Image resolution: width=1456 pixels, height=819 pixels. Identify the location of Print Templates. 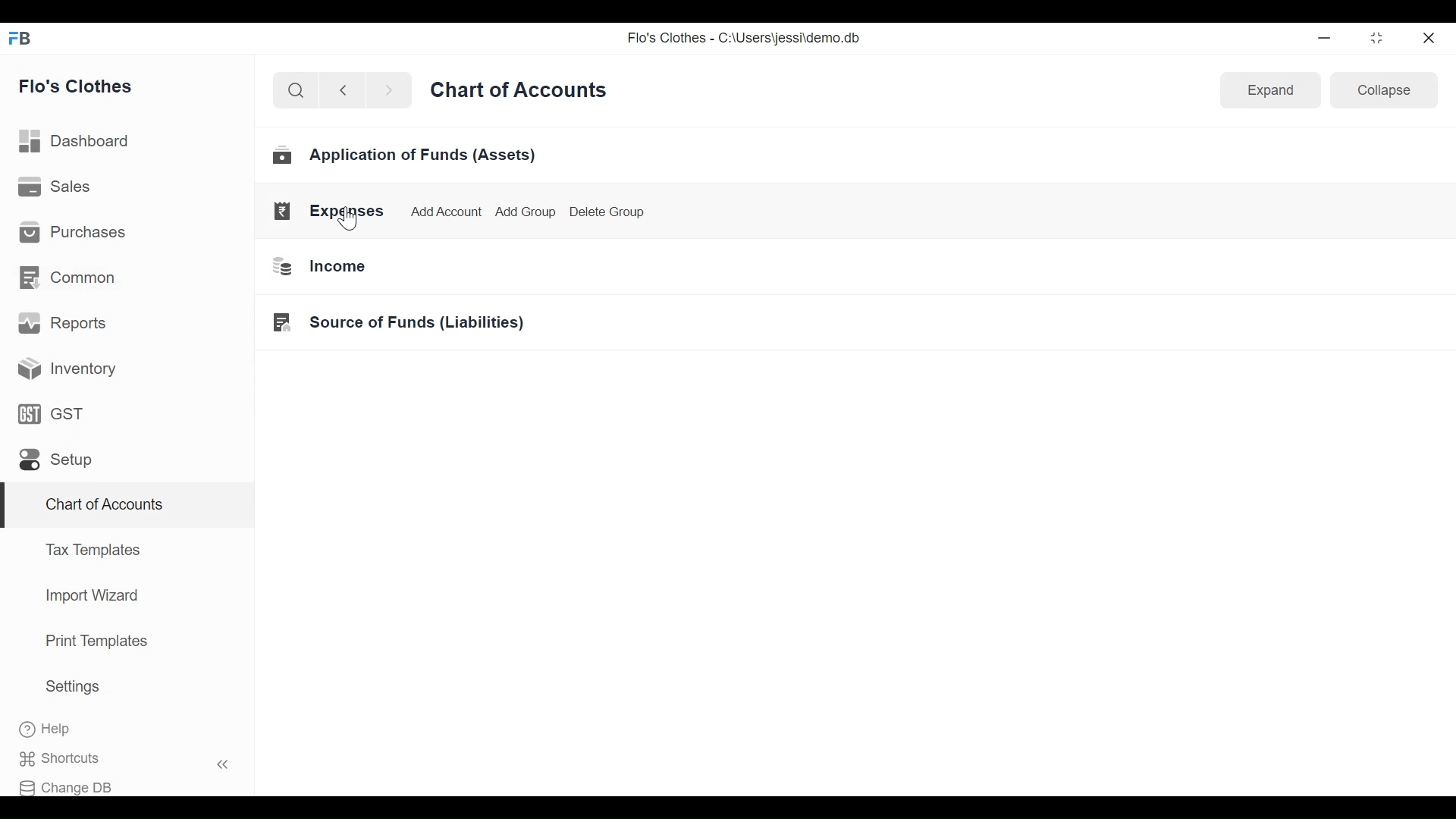
(95, 641).